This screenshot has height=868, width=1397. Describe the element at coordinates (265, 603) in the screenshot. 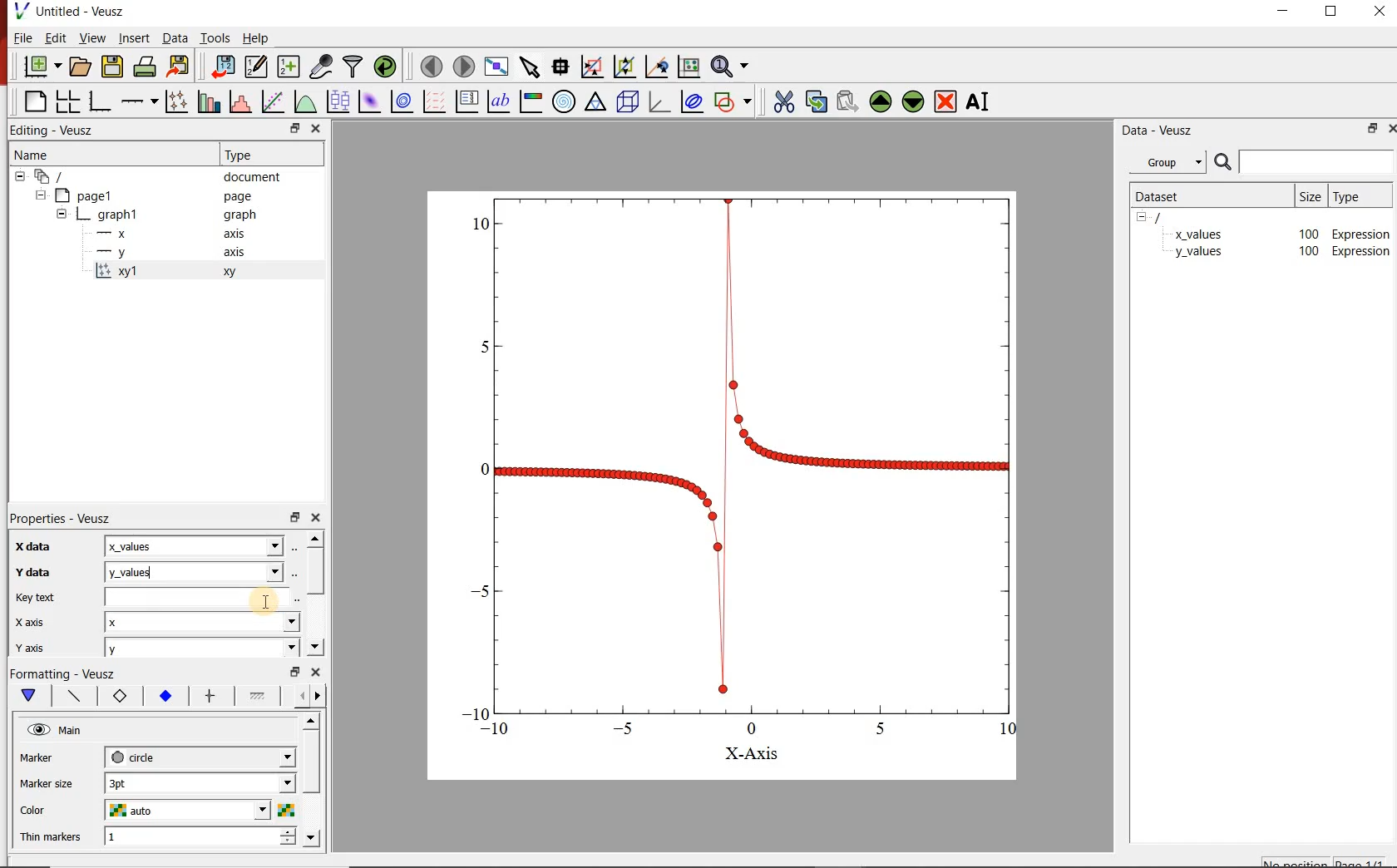

I see `cursor` at that location.